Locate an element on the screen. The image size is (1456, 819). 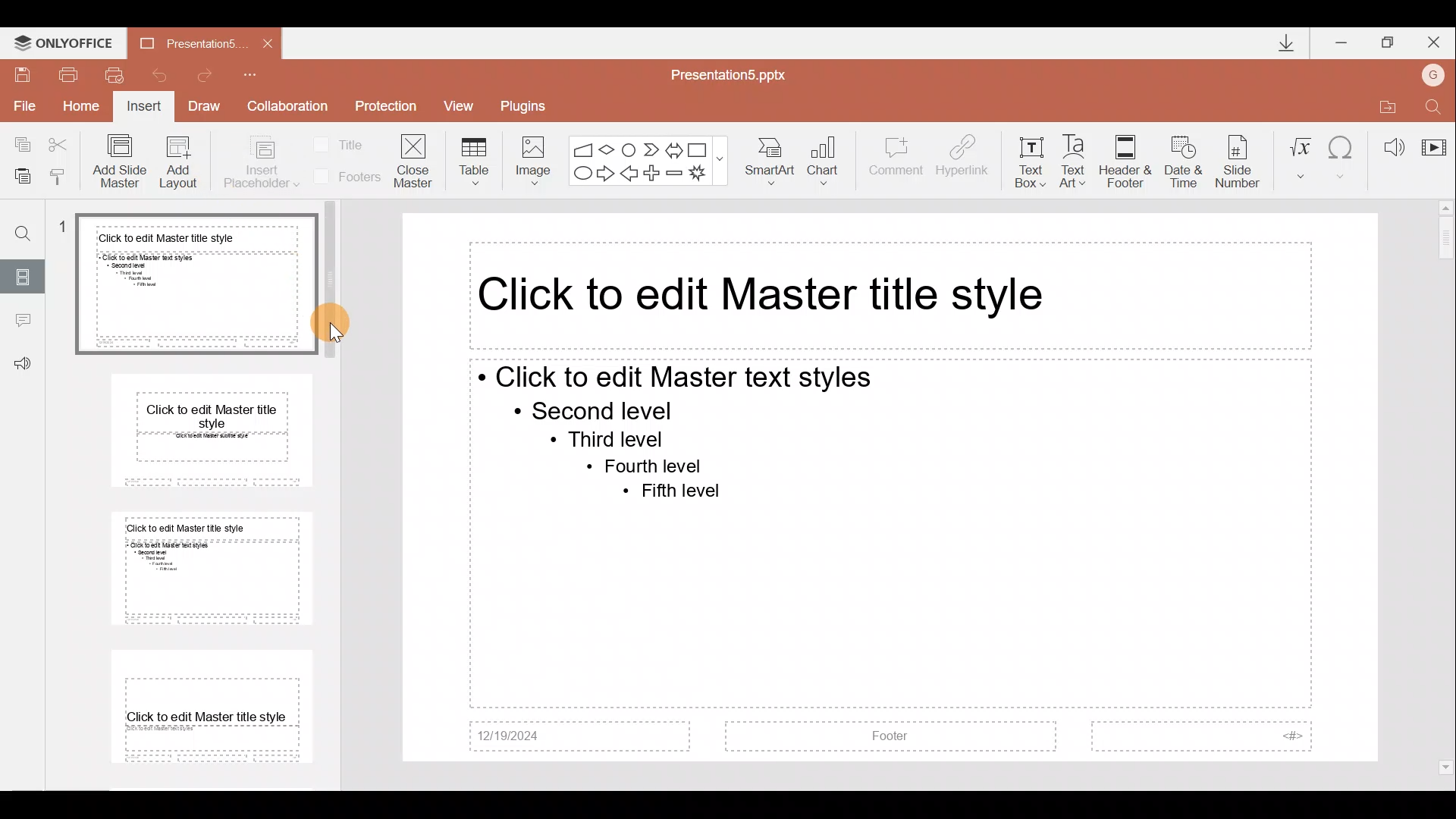
Explosion 1 is located at coordinates (704, 174).